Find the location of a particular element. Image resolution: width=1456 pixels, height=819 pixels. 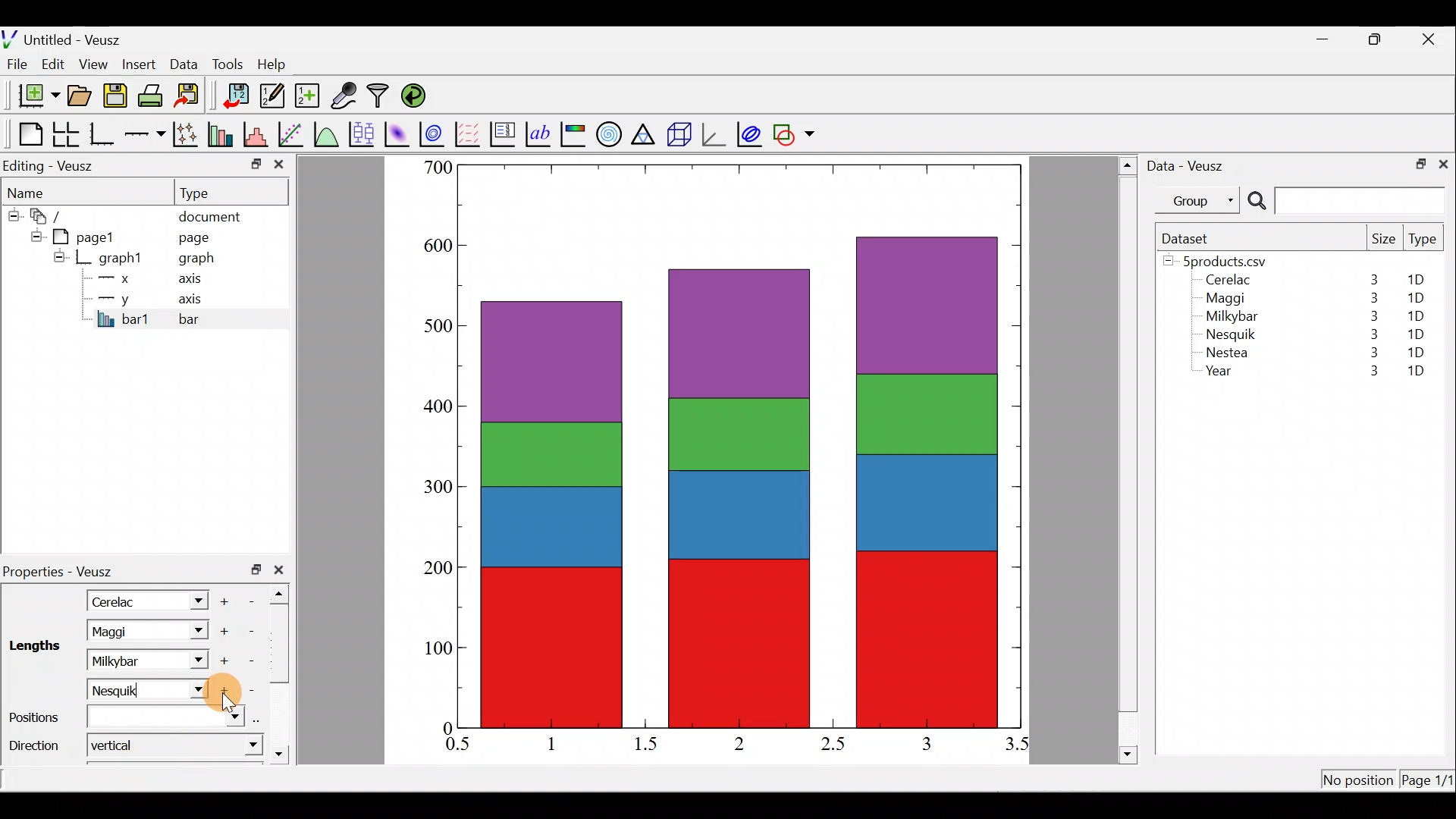

pagel is located at coordinates (90, 235).